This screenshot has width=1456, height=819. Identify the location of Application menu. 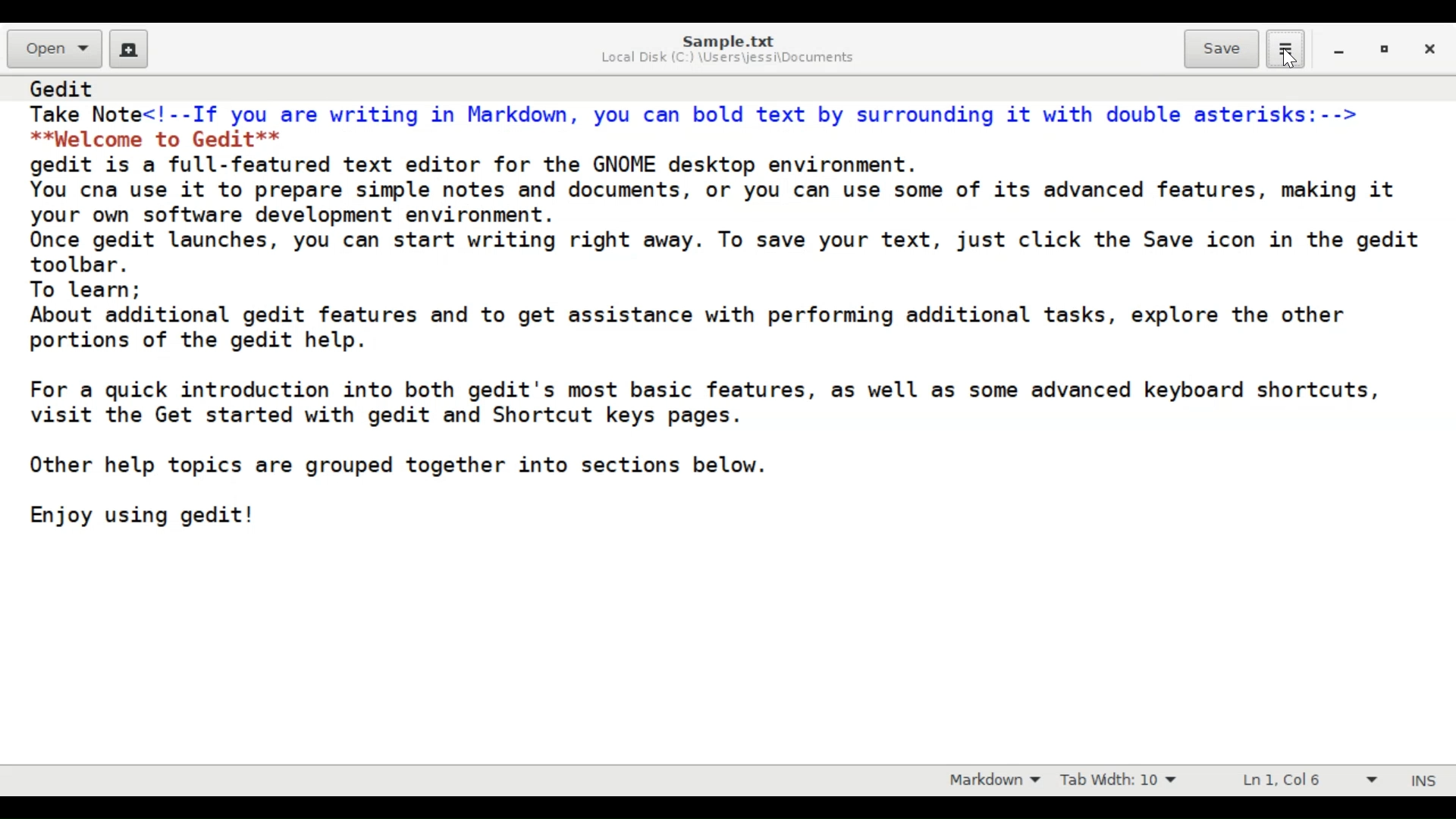
(1287, 49).